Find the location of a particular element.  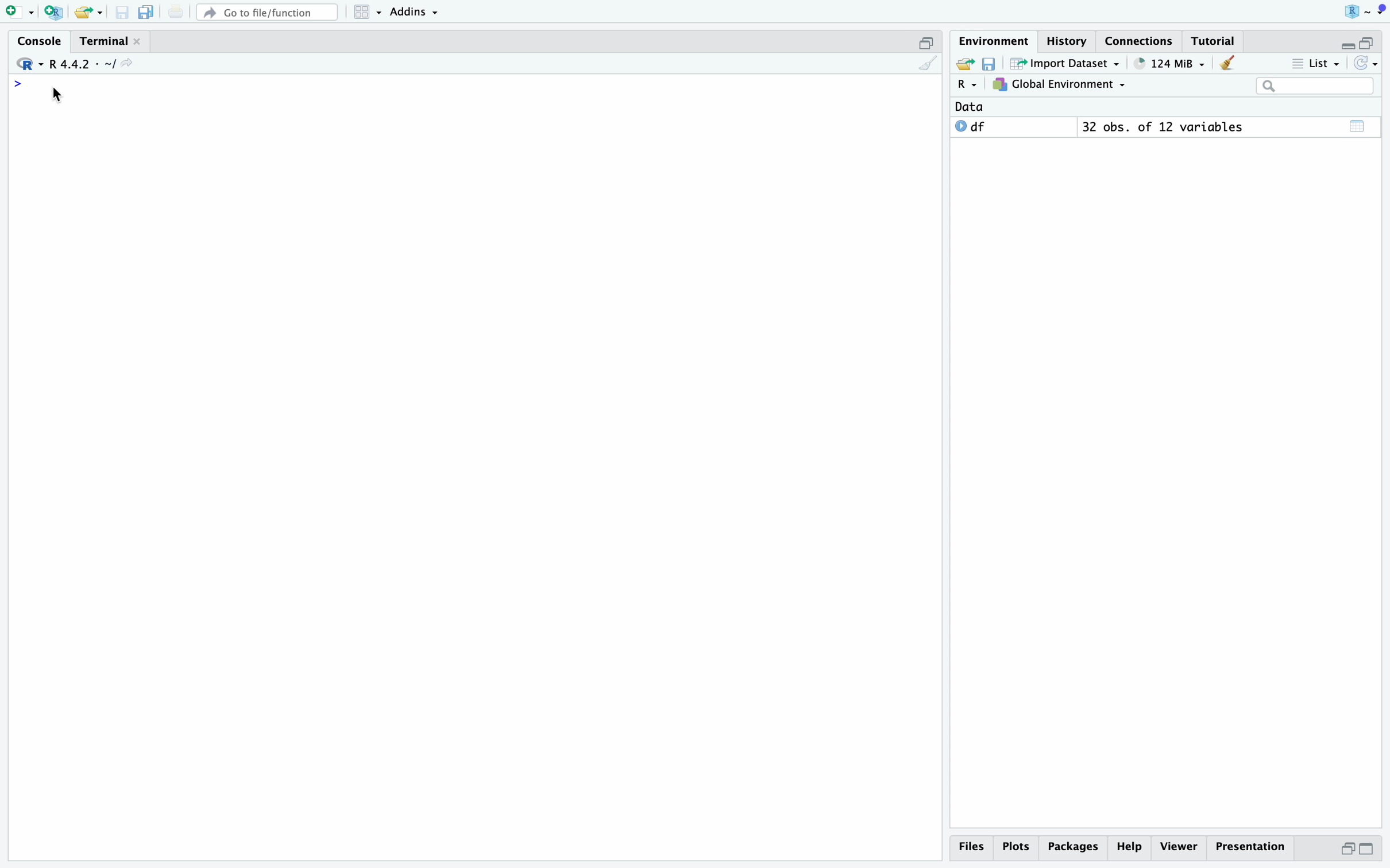

save is located at coordinates (123, 13).